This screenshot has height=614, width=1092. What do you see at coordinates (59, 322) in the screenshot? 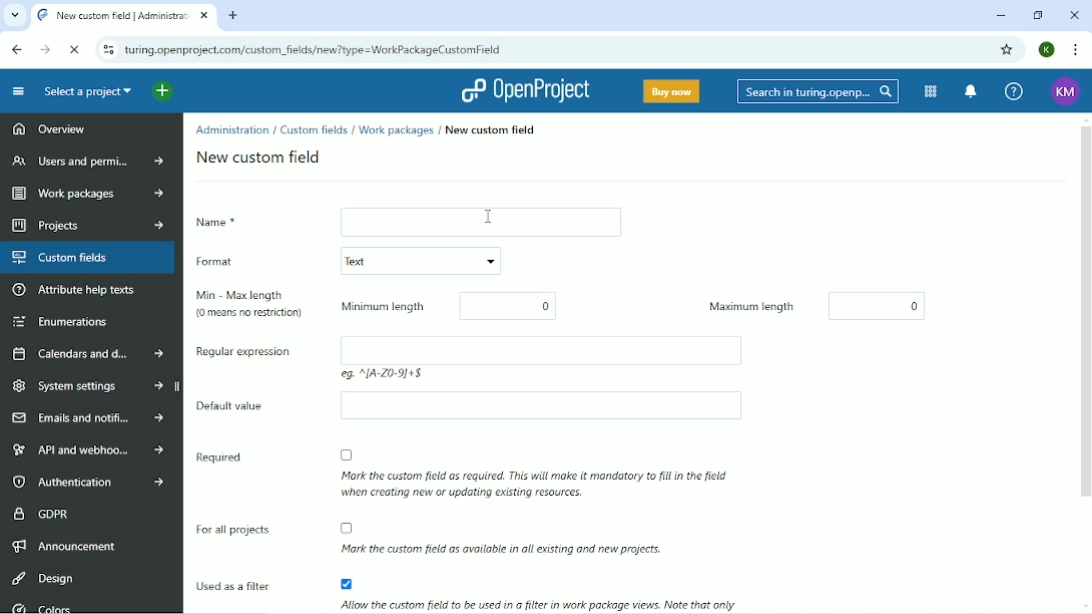
I see `Enumerations` at bounding box center [59, 322].